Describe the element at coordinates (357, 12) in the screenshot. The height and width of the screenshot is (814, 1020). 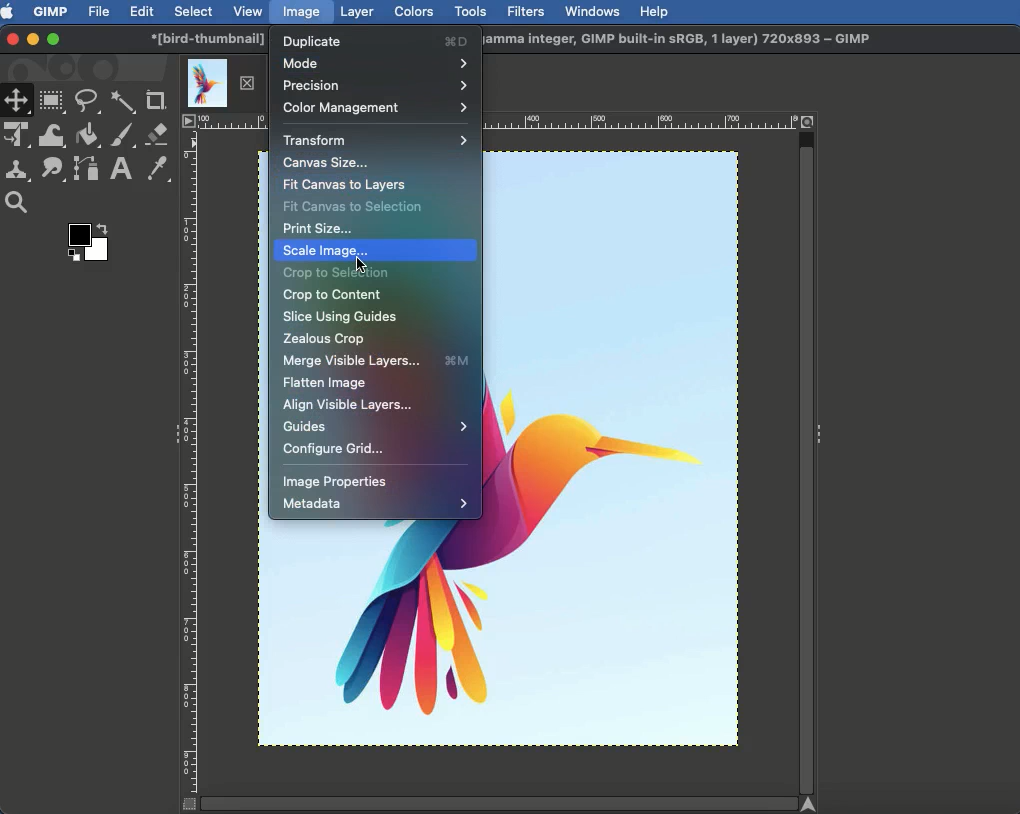
I see `Layer` at that location.